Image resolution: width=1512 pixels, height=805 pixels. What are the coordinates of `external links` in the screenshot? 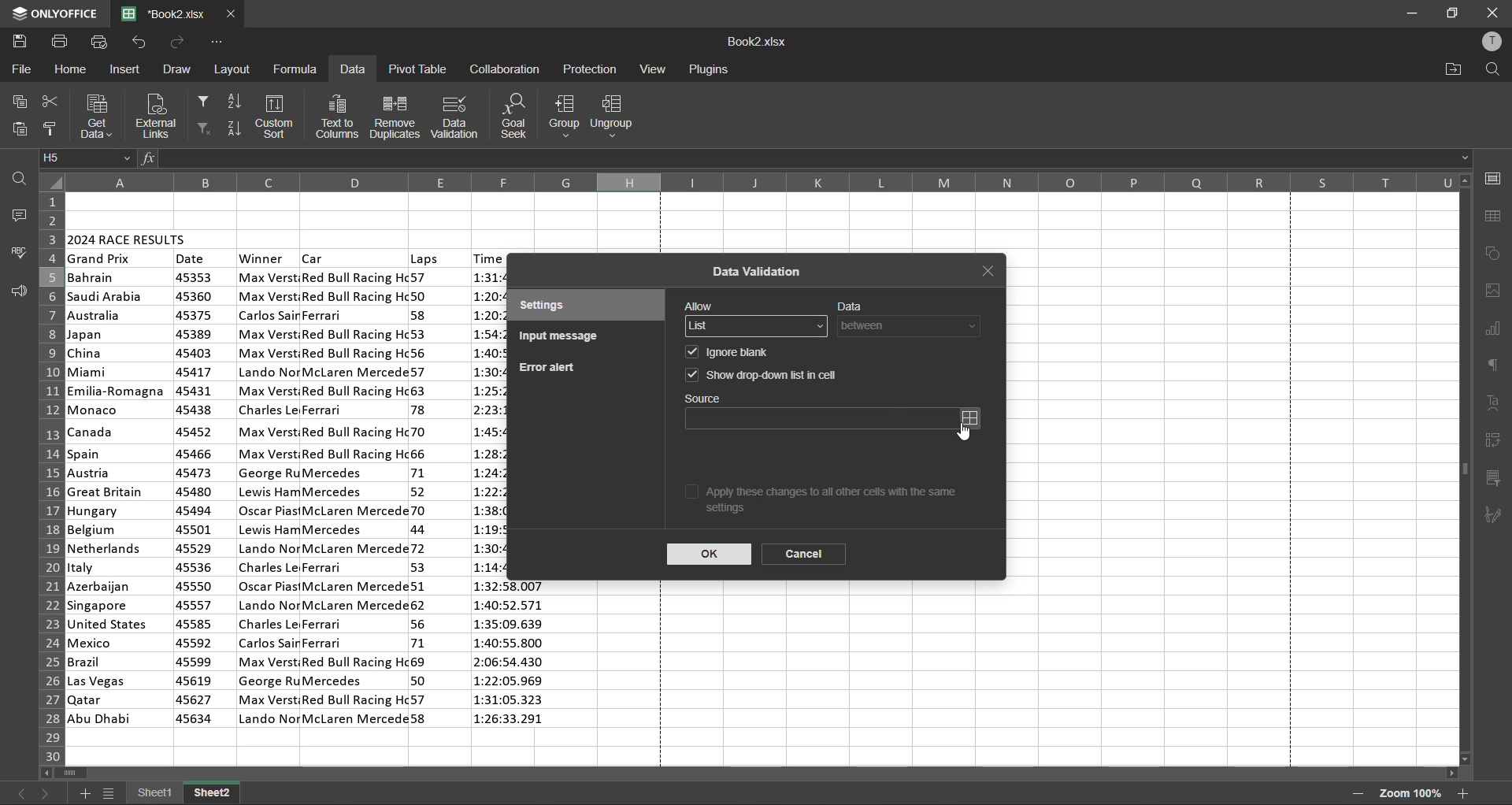 It's located at (155, 115).